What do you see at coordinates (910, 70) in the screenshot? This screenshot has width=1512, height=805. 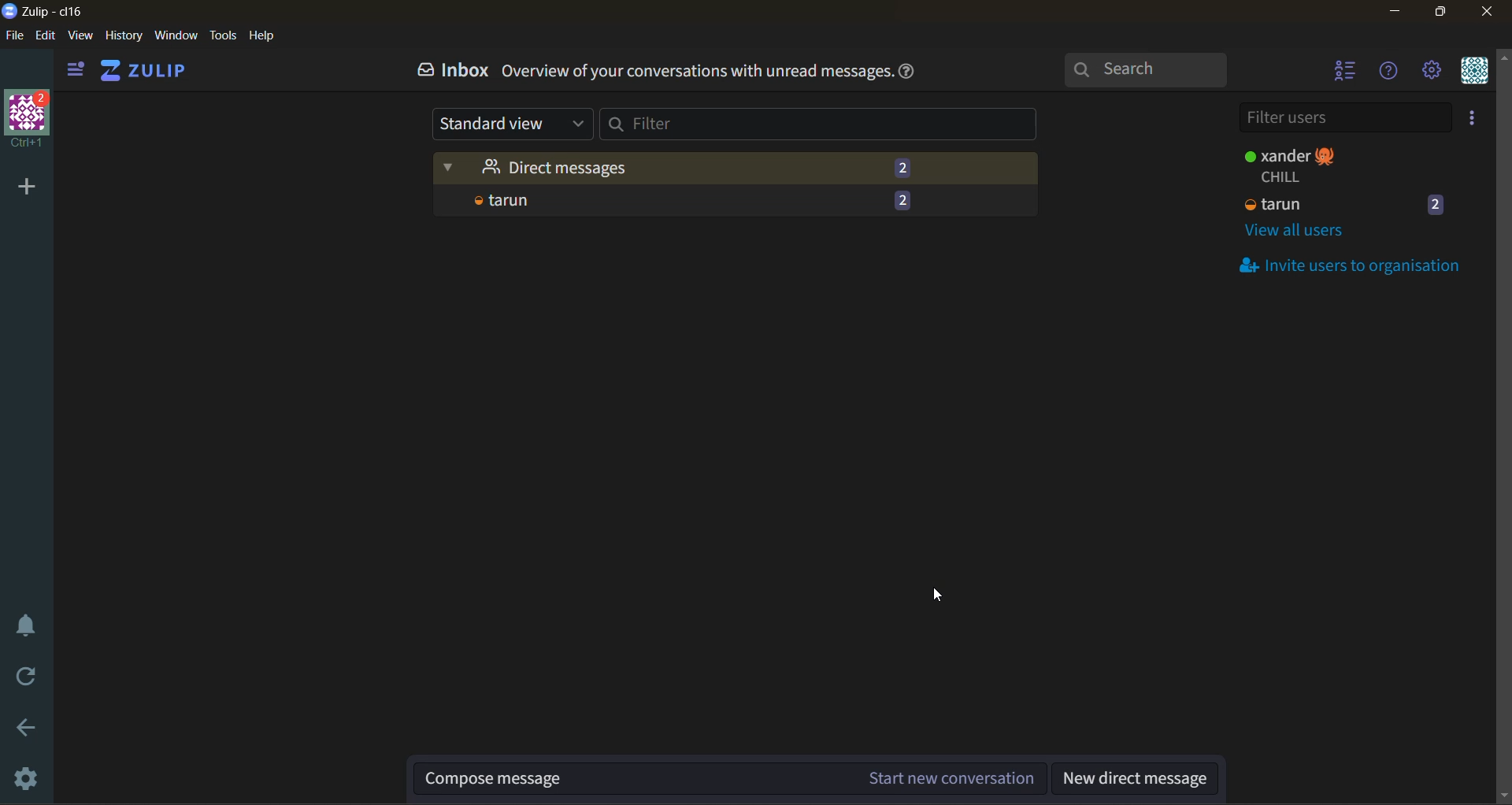 I see `help` at bounding box center [910, 70].